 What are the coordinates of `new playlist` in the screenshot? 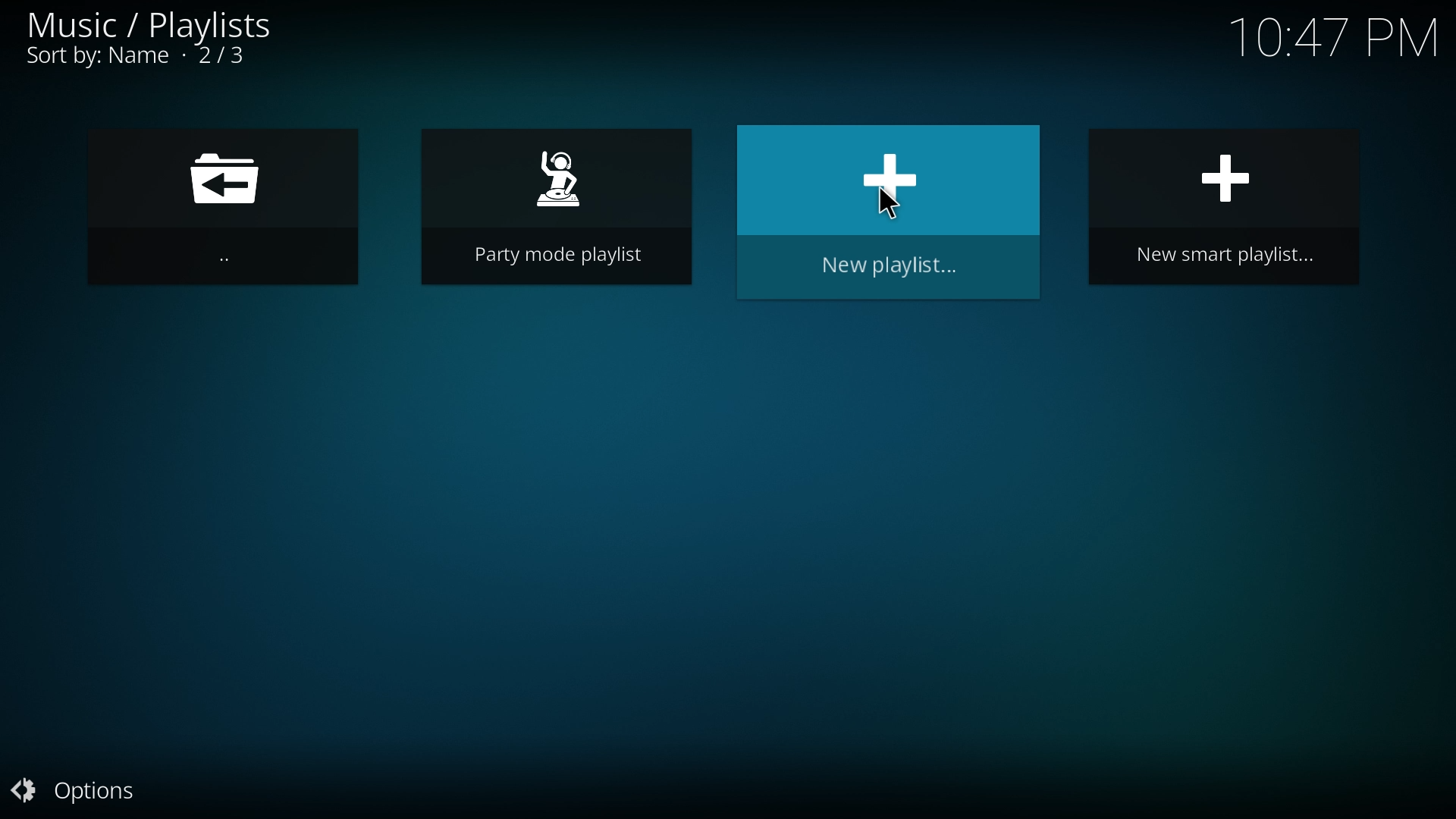 It's located at (890, 265).